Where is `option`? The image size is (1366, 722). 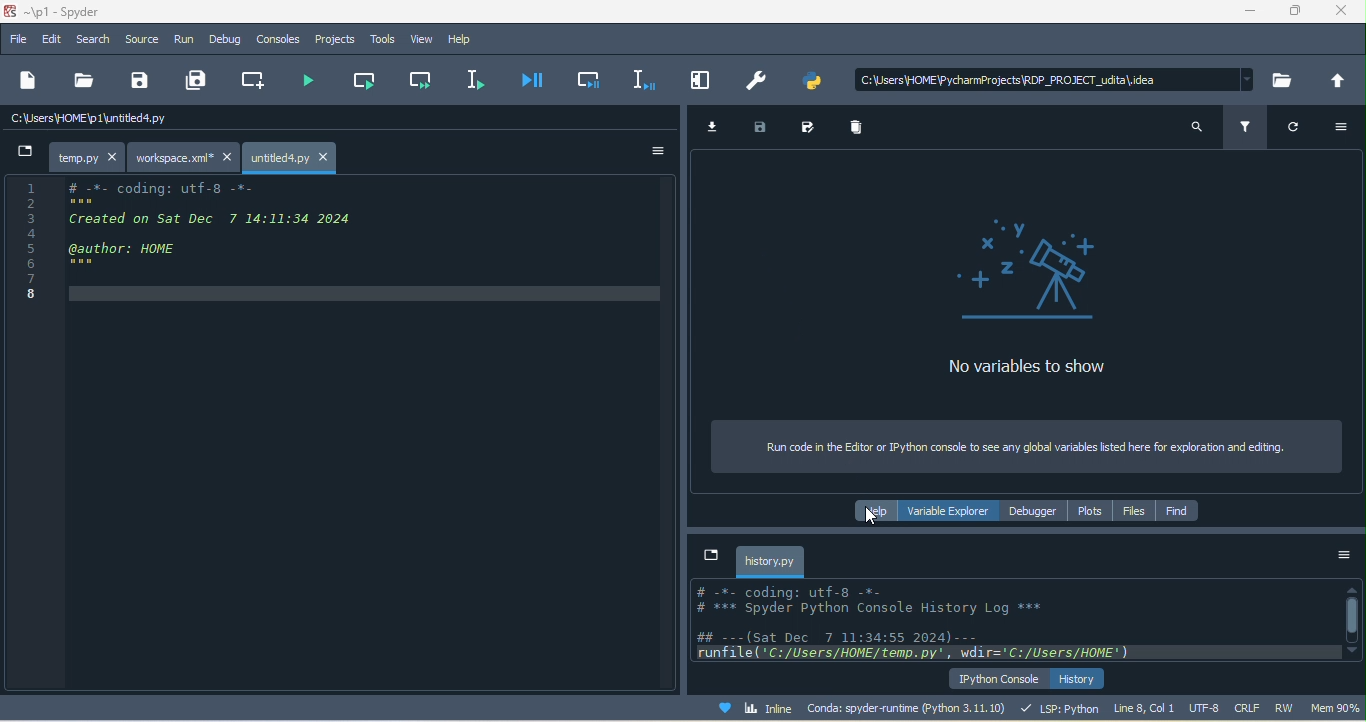
option is located at coordinates (1343, 125).